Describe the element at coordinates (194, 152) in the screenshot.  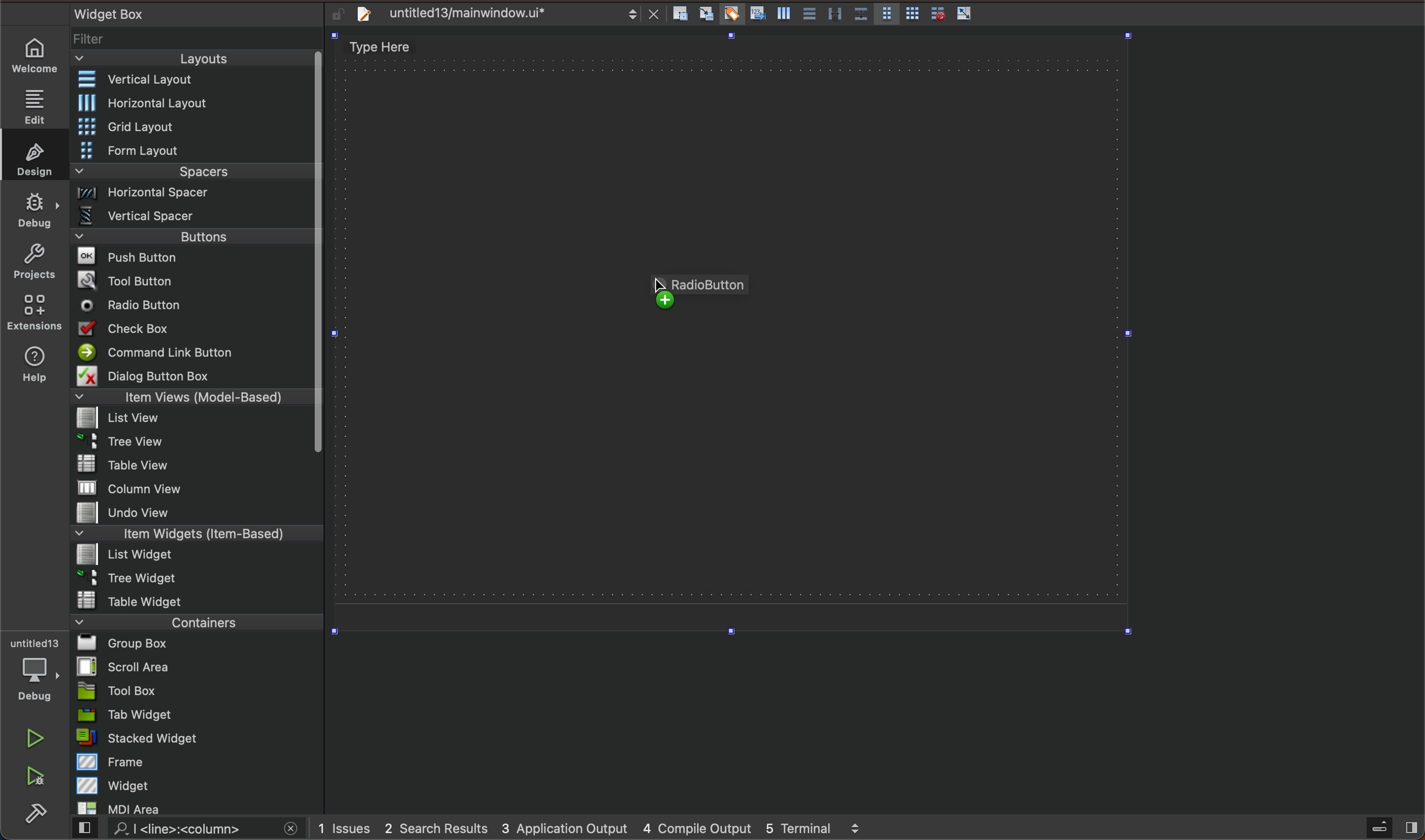
I see `` at that location.